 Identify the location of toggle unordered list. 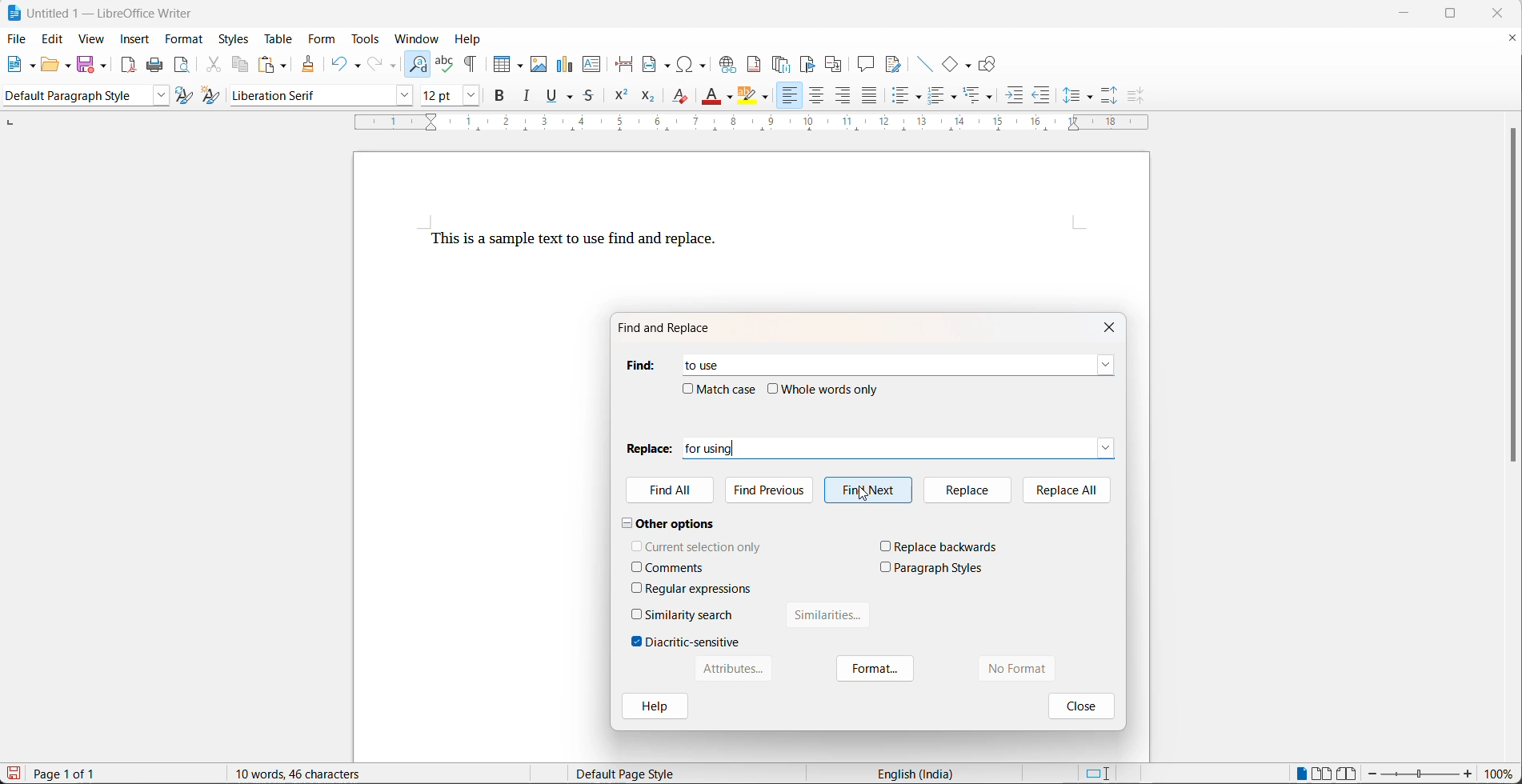
(904, 98).